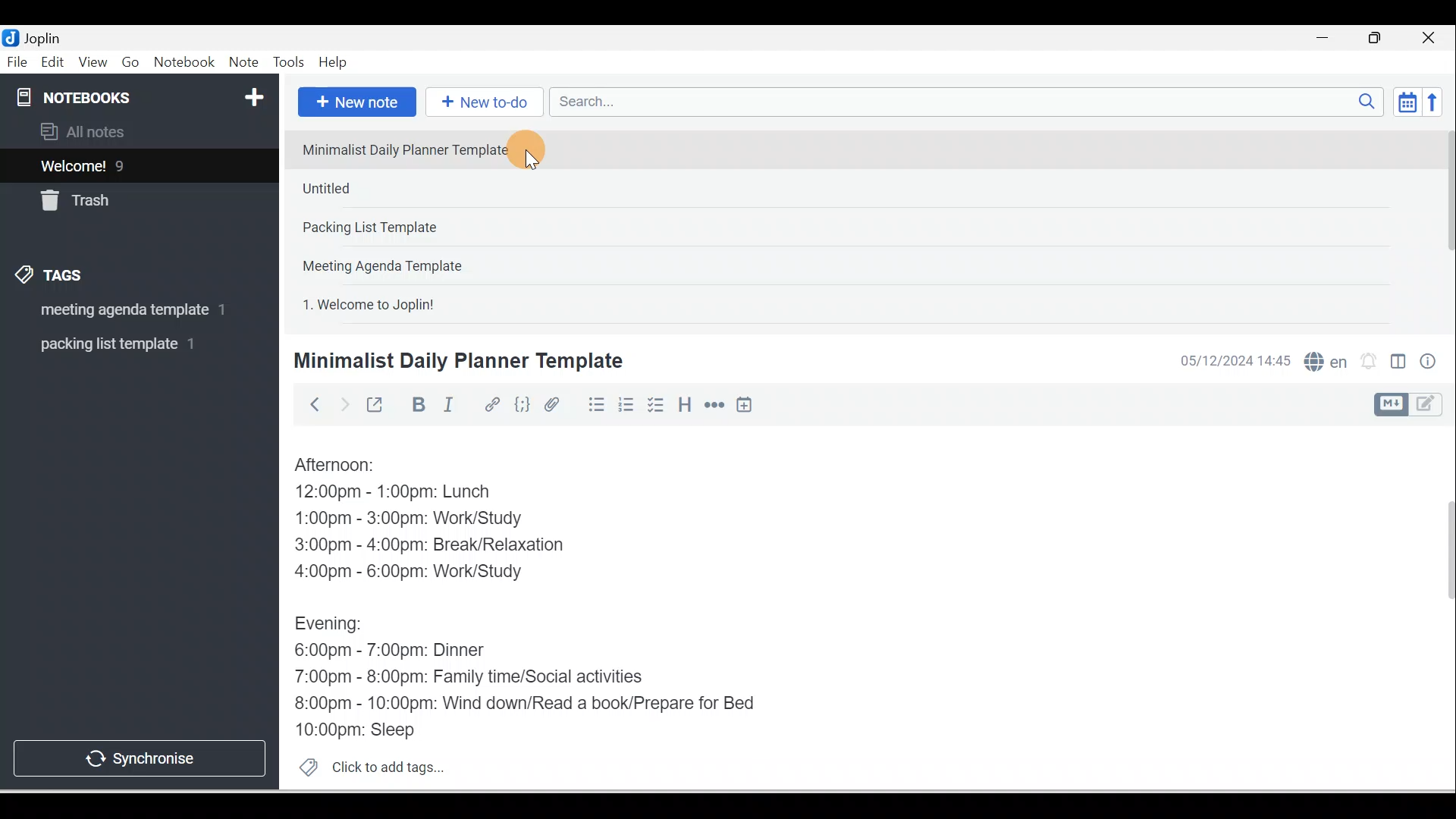 This screenshot has height=819, width=1456. Describe the element at coordinates (424, 303) in the screenshot. I see `Note 5` at that location.